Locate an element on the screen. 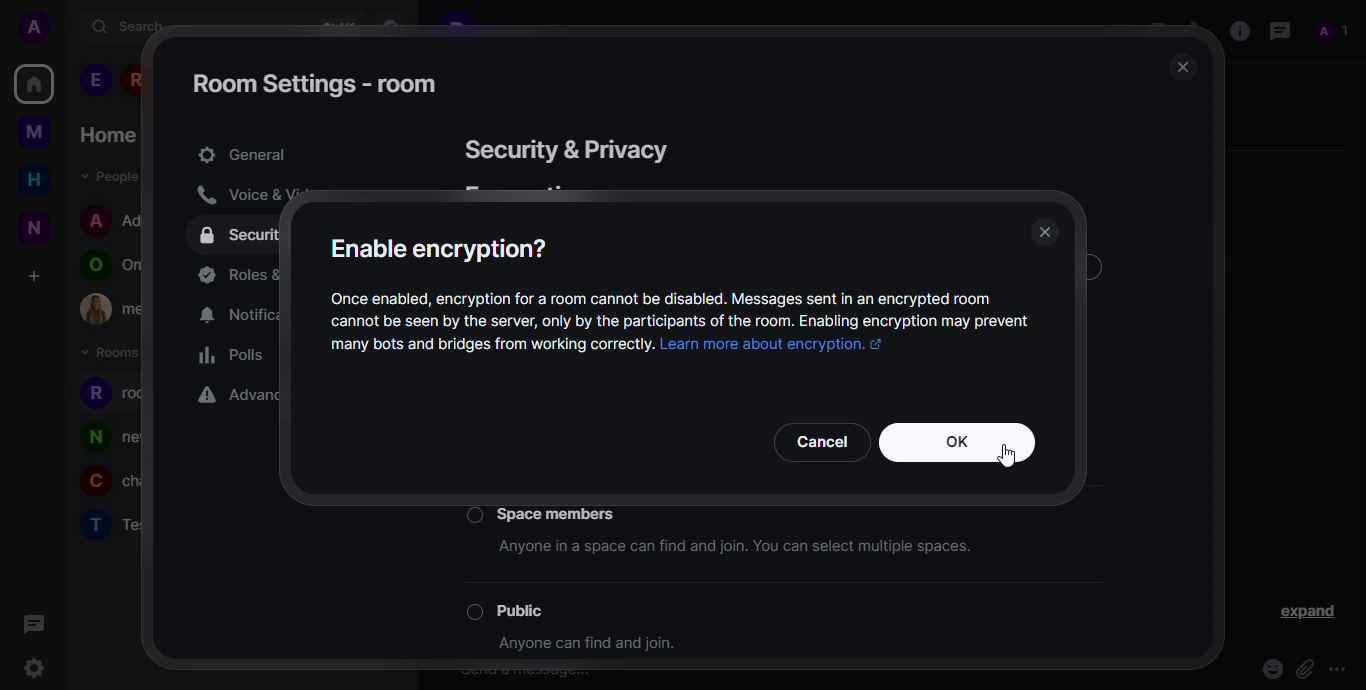 The image size is (1366, 690). profile is located at coordinates (94, 524).